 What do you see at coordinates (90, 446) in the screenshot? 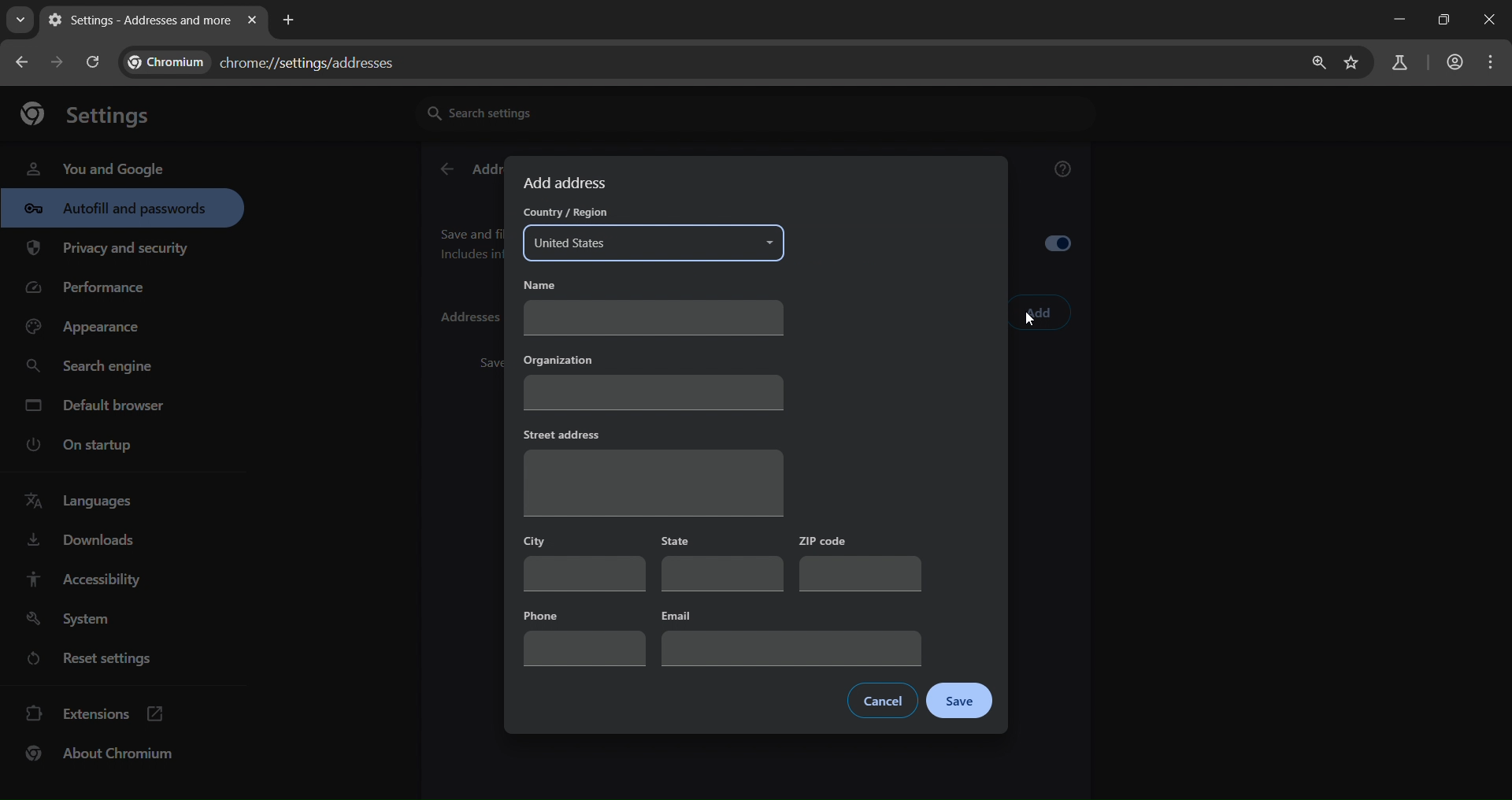
I see `on startup` at bounding box center [90, 446].